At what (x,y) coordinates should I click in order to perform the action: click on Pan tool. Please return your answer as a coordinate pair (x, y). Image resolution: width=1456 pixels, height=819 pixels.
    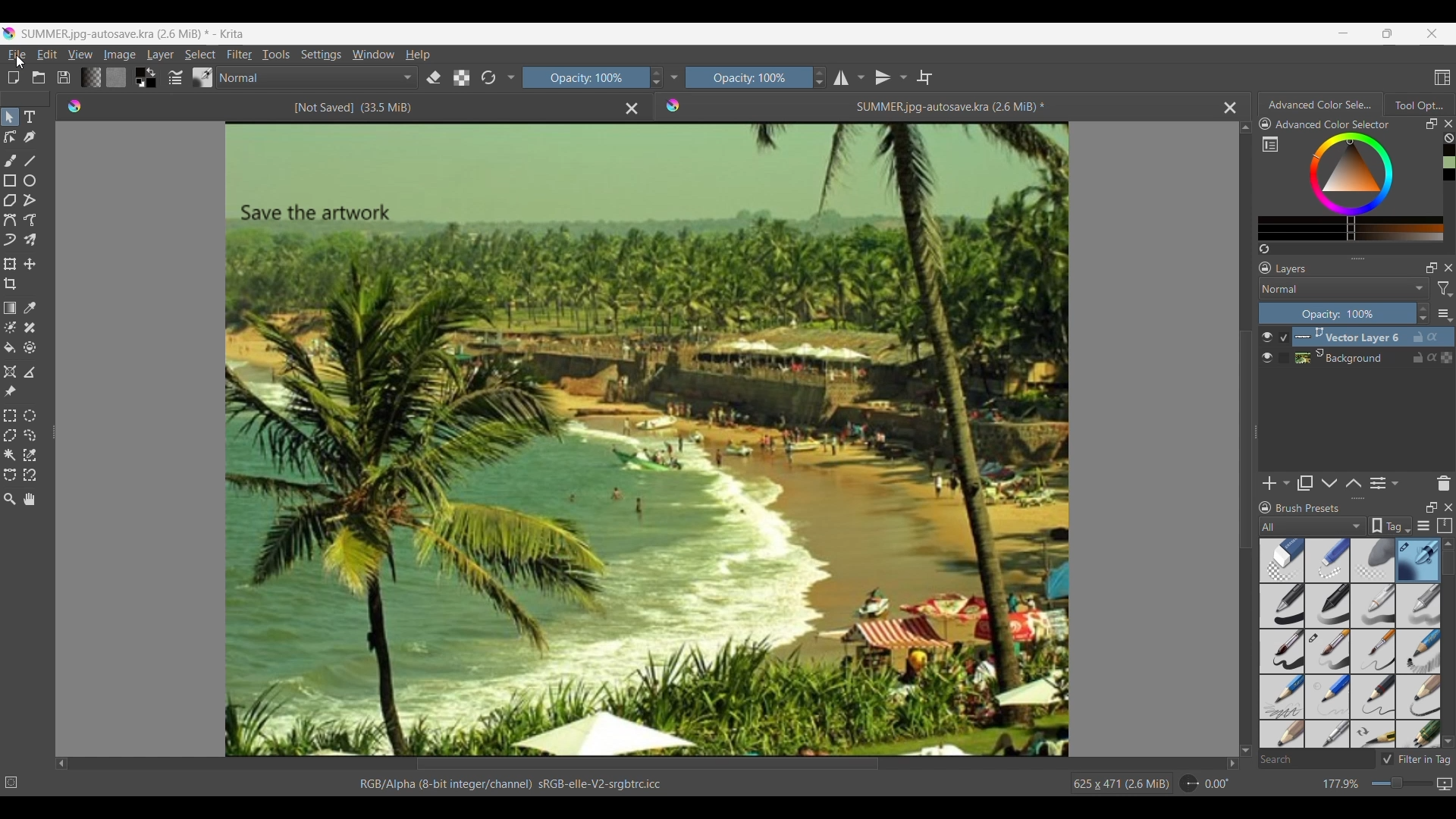
    Looking at the image, I should click on (29, 499).